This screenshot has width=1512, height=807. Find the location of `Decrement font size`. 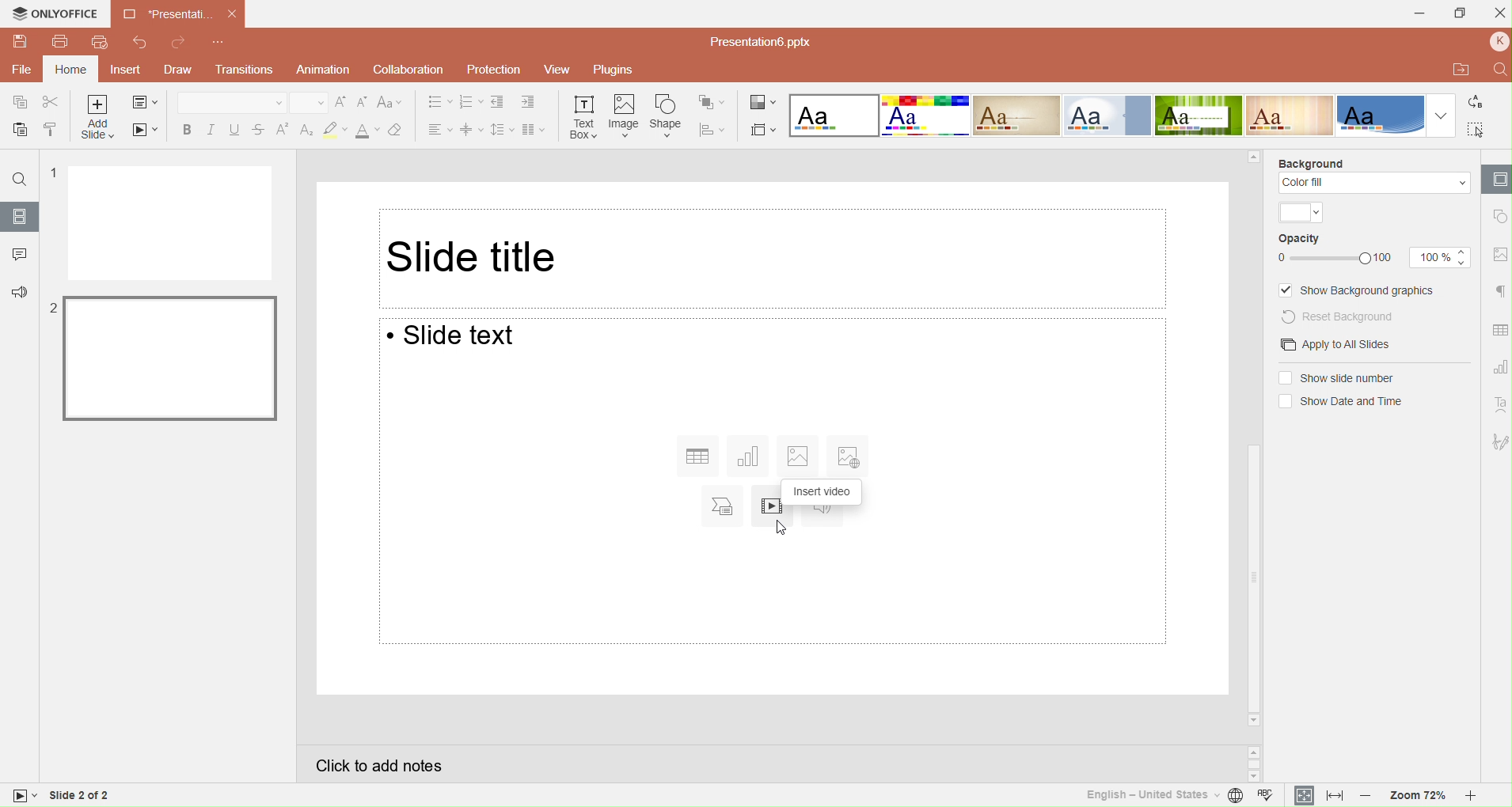

Decrement font size is located at coordinates (363, 103).